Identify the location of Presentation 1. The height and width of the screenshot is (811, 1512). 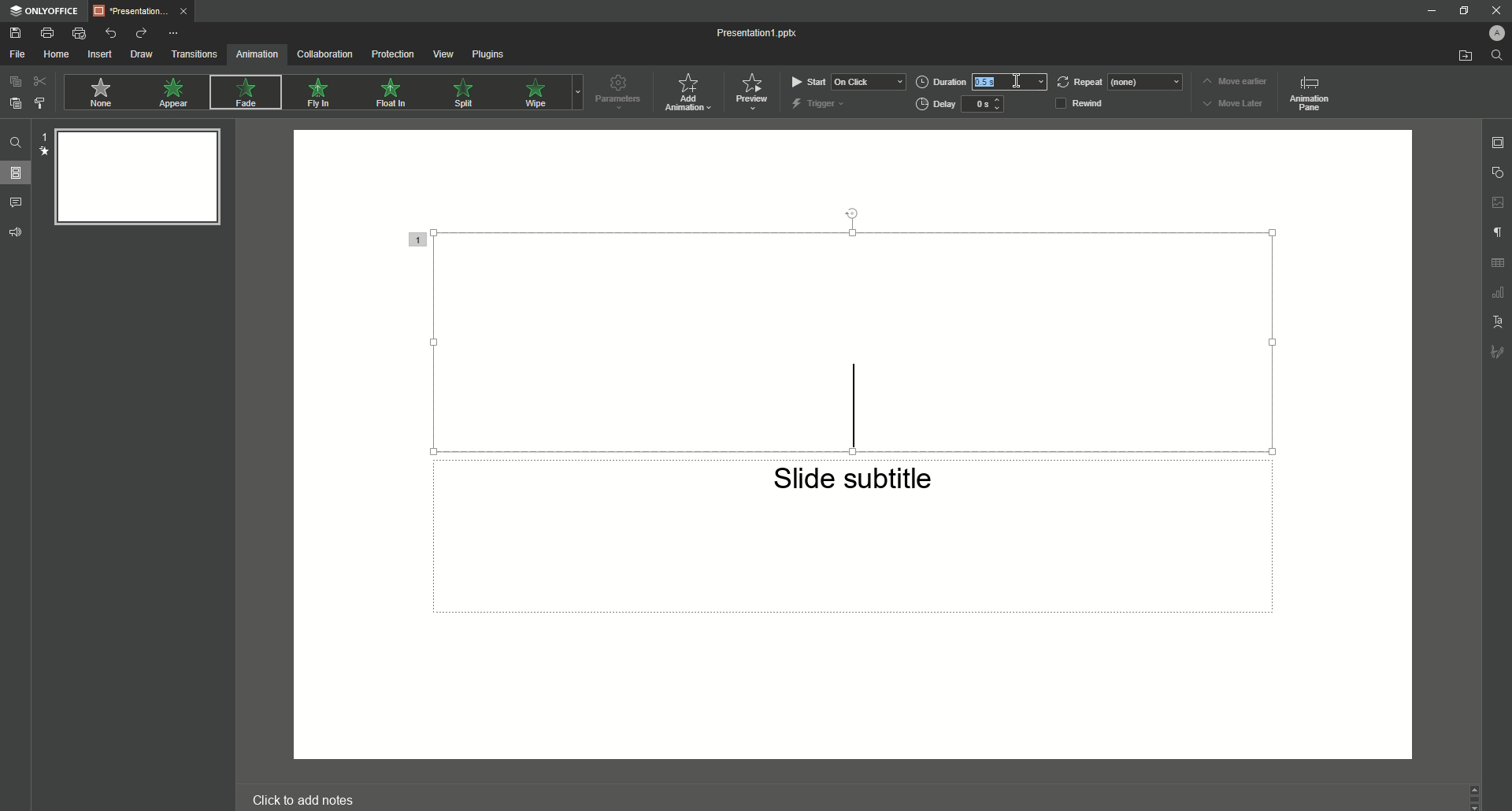
(758, 34).